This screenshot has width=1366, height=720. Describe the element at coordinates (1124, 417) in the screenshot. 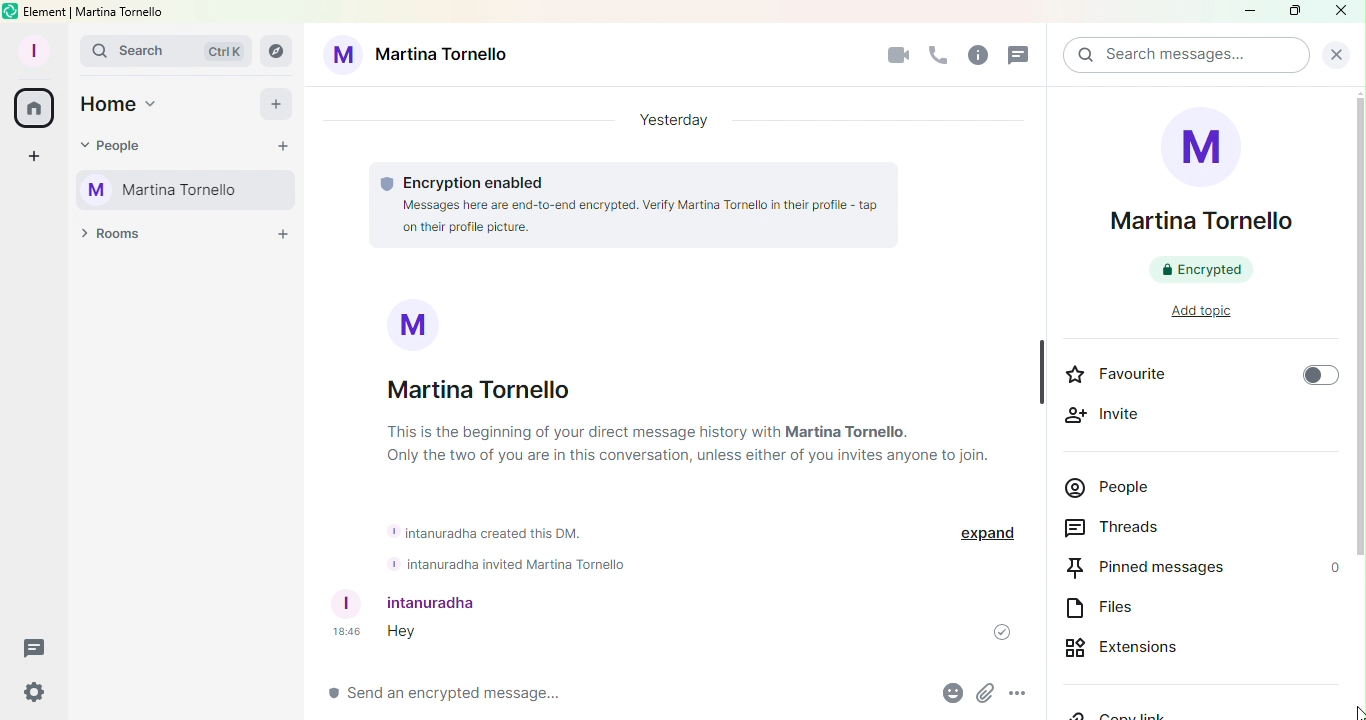

I see `Invite` at that location.